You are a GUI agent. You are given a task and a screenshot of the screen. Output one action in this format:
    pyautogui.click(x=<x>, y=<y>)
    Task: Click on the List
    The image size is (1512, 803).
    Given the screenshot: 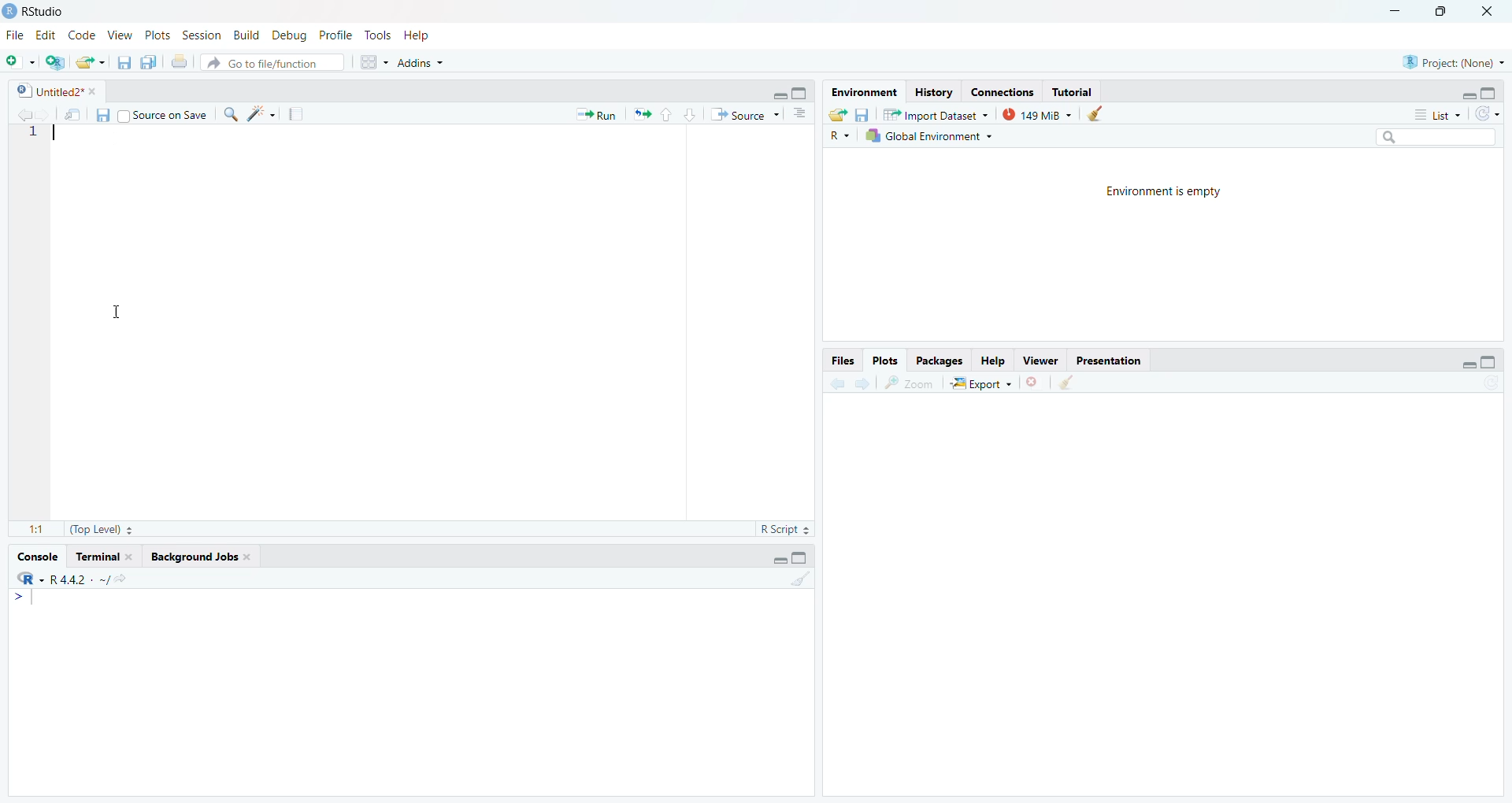 What is the action you would take?
    pyautogui.click(x=1436, y=115)
    